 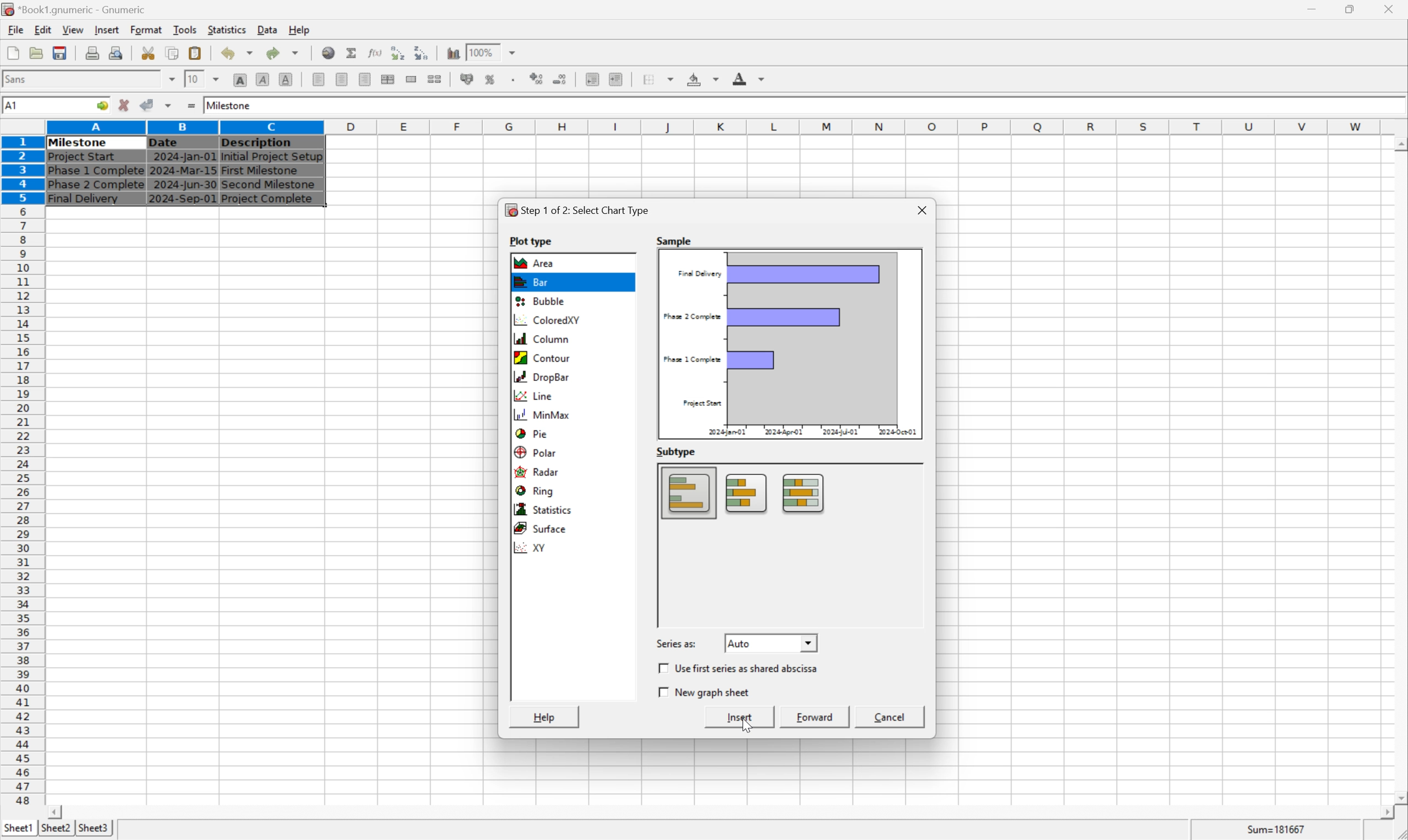 What do you see at coordinates (363, 80) in the screenshot?
I see `align right` at bounding box center [363, 80].